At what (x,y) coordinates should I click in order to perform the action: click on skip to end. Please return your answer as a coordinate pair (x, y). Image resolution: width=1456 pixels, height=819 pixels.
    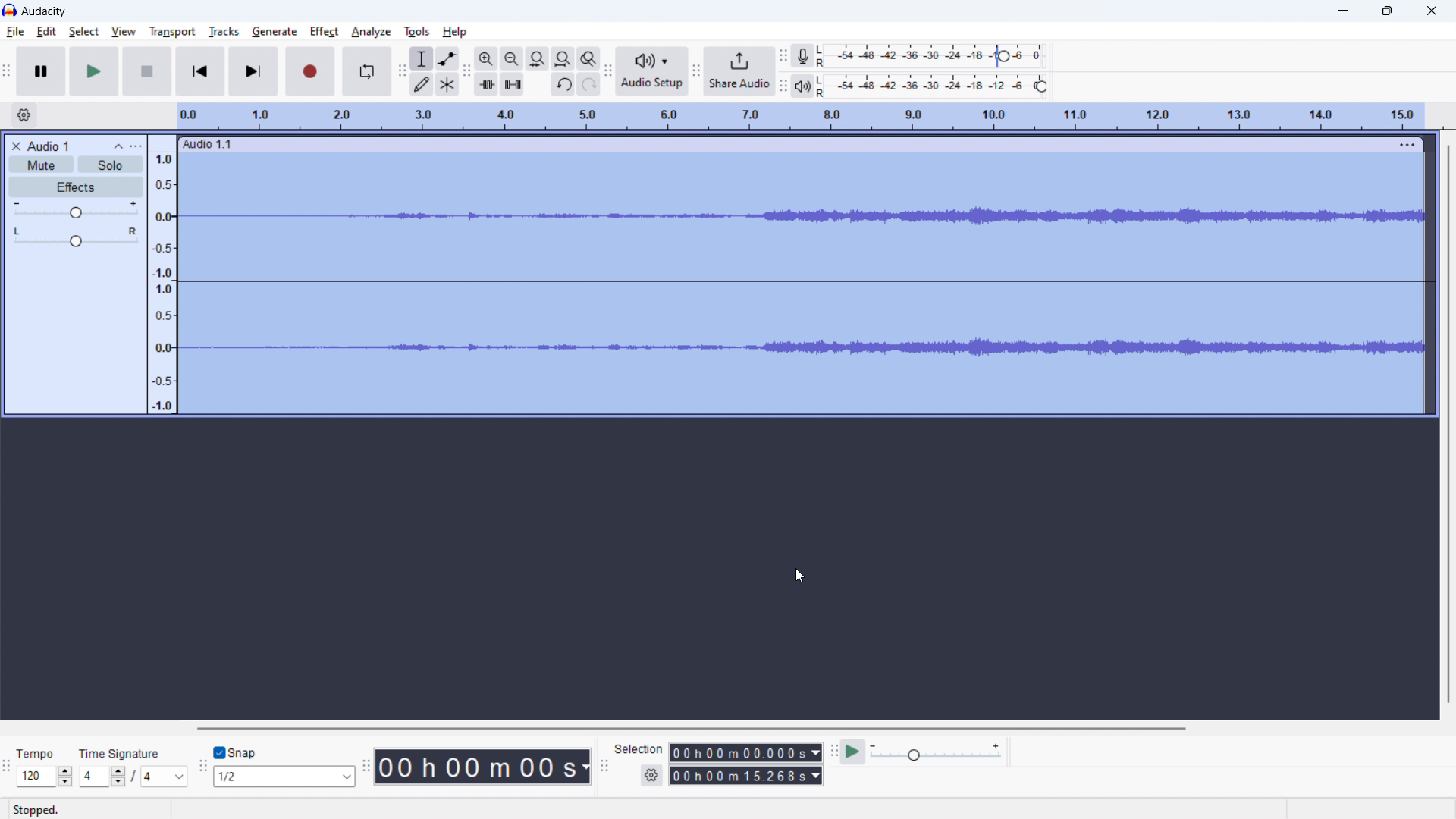
    Looking at the image, I should click on (253, 71).